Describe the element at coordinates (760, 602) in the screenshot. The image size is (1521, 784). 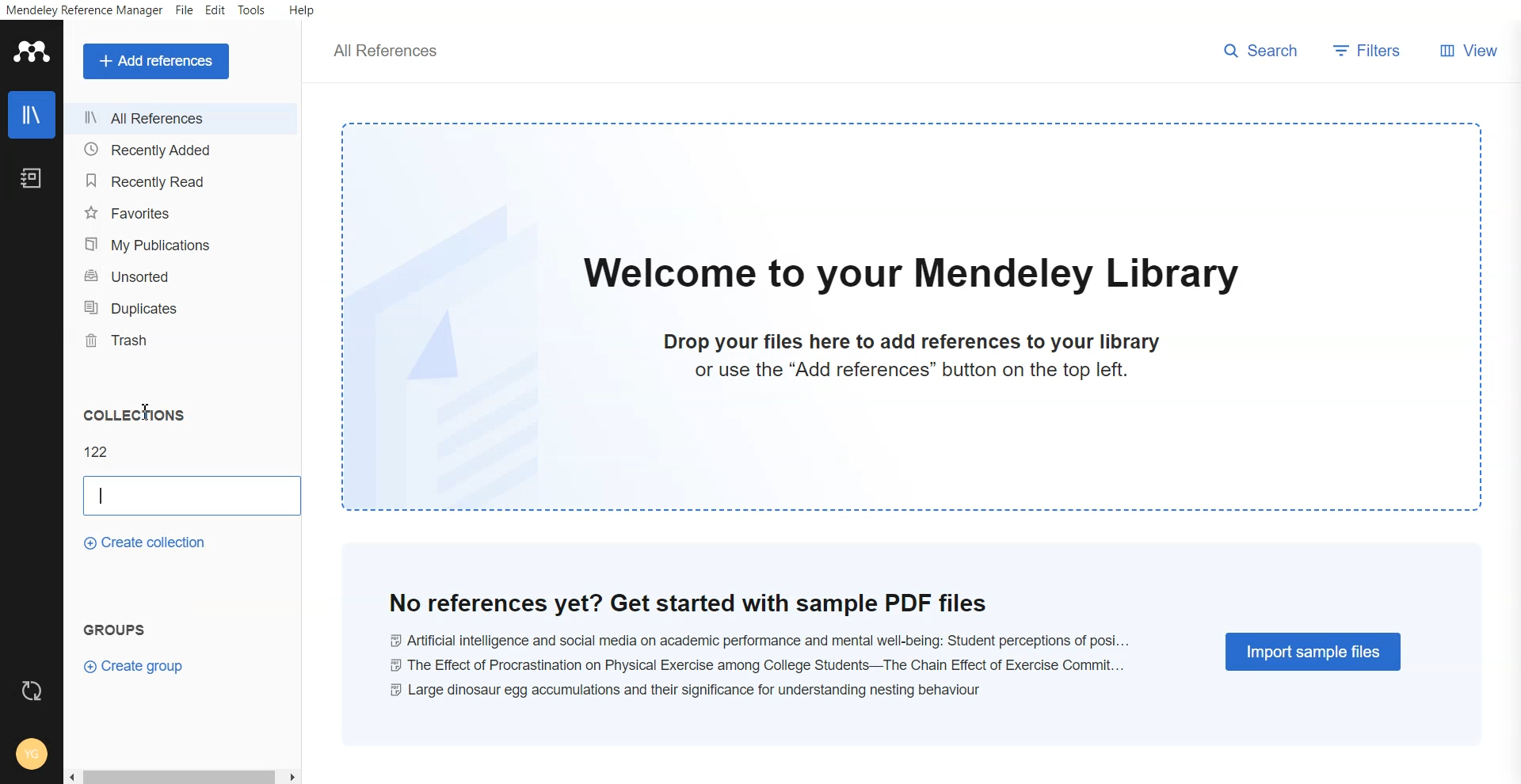
I see `no reference yet? get started with sample pdf files` at that location.